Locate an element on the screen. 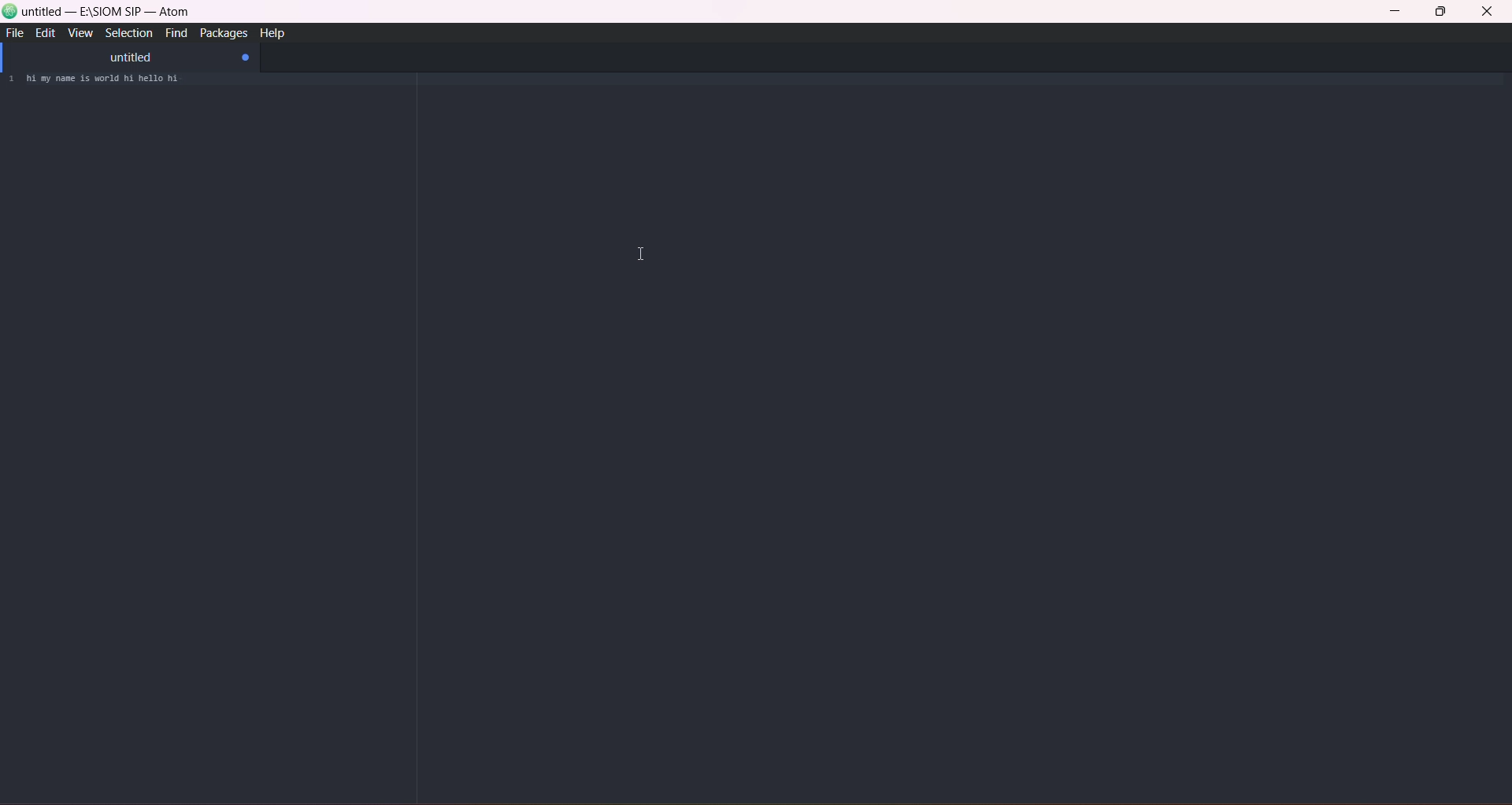  cursor is located at coordinates (643, 254).